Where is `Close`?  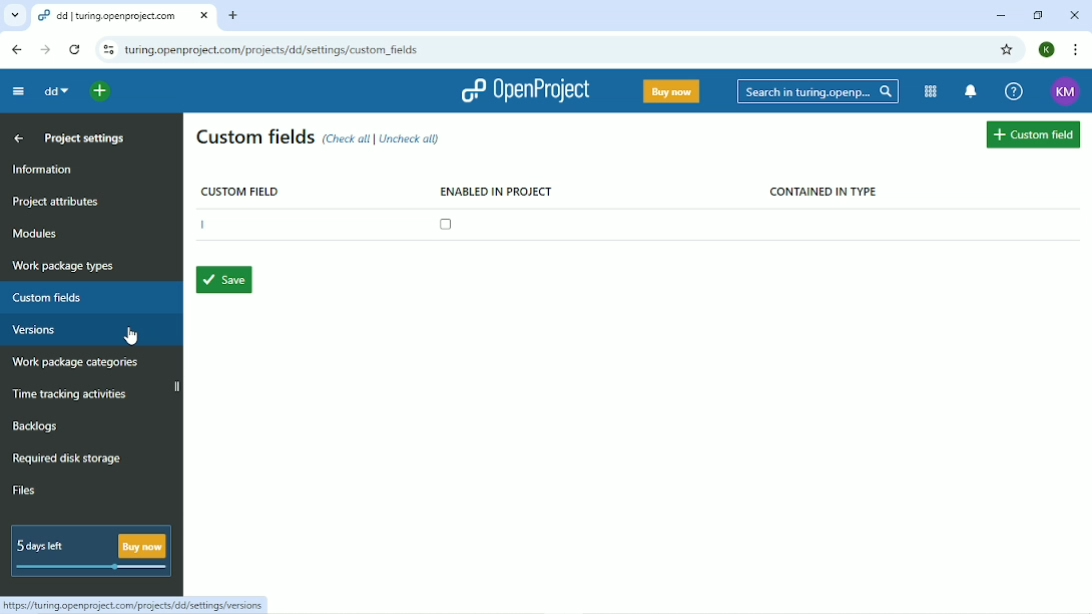
Close is located at coordinates (1076, 15).